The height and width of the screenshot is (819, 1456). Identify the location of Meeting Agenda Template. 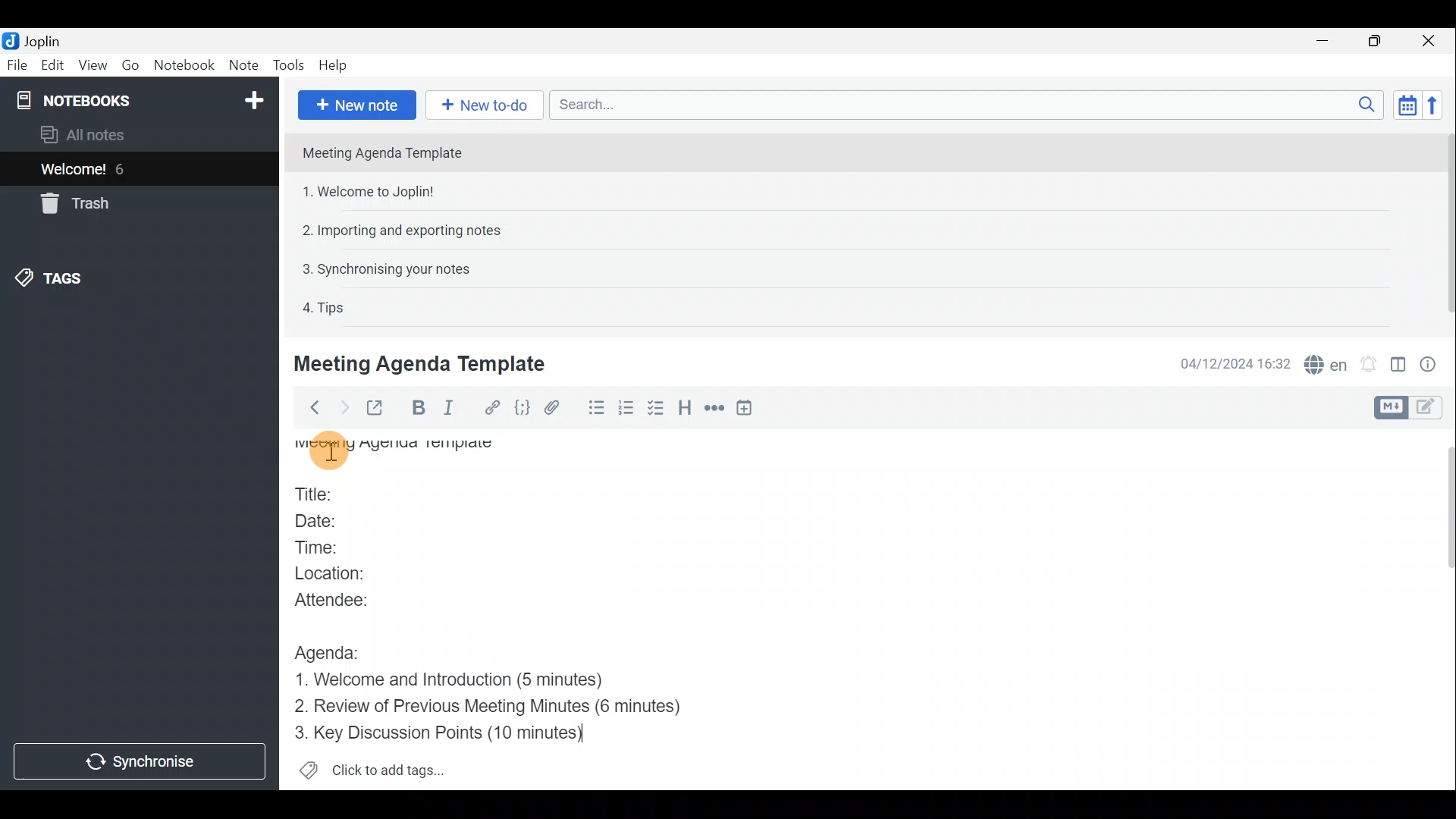
(398, 453).